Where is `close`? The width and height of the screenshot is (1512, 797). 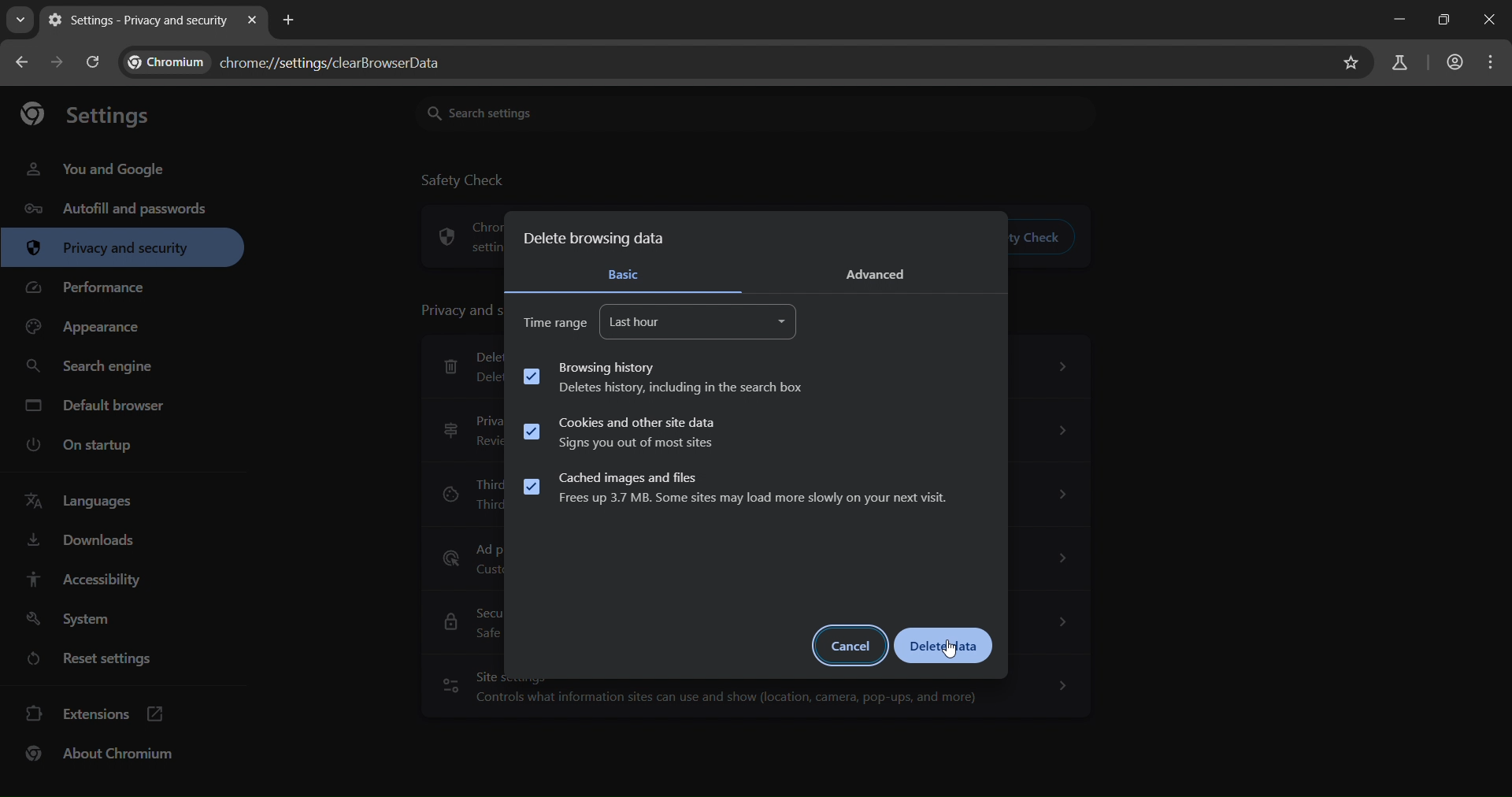 close is located at coordinates (1491, 20).